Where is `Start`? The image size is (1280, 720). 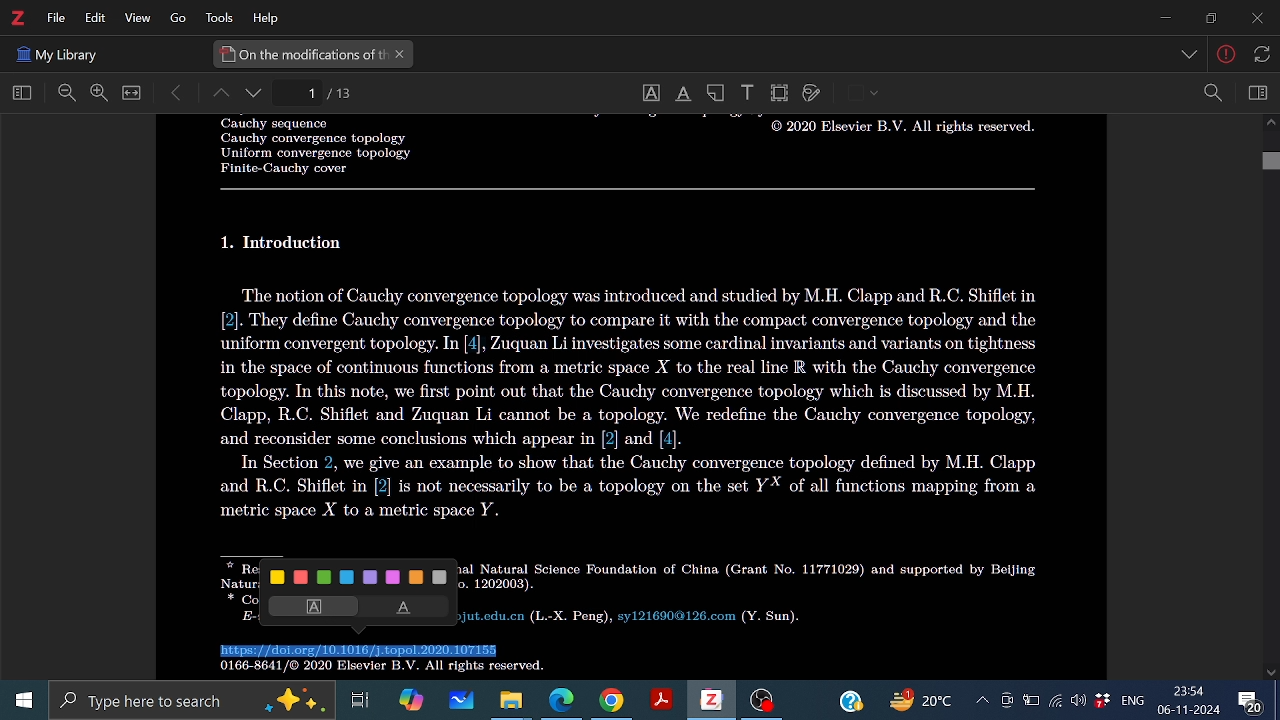 Start is located at coordinates (19, 701).